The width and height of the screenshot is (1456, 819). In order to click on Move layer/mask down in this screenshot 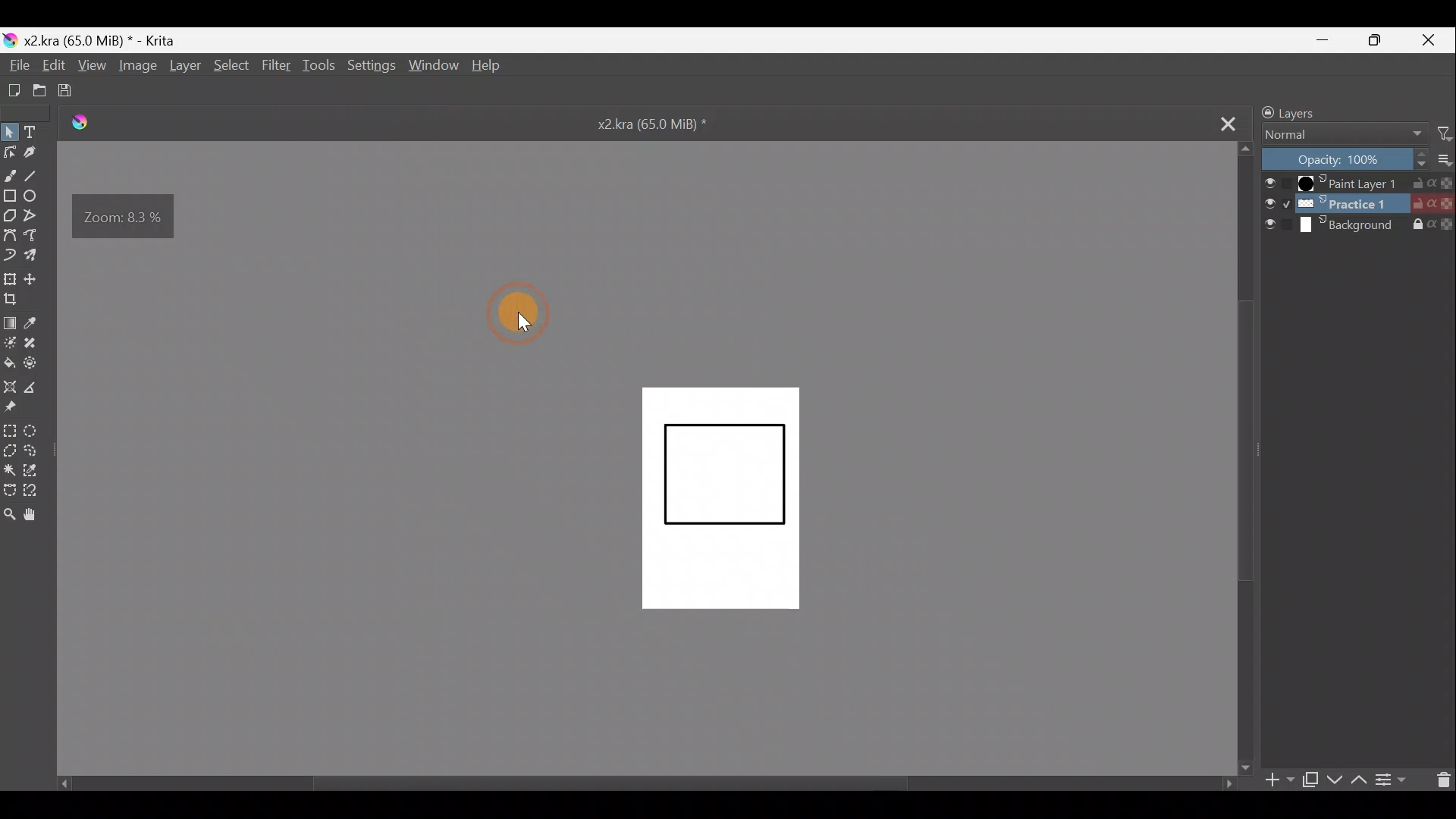, I will do `click(1335, 780)`.